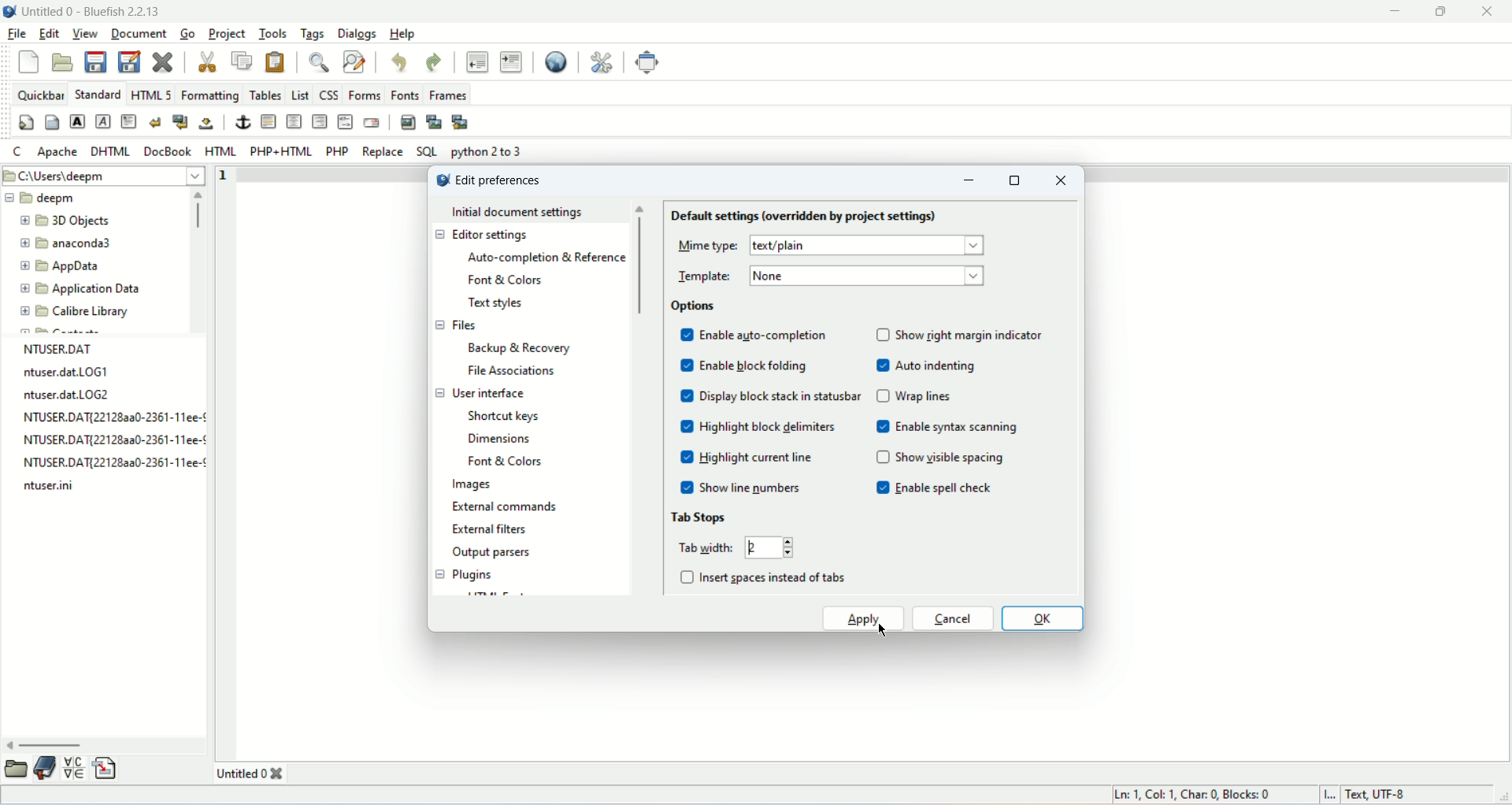  I want to click on close current file, so click(164, 60).